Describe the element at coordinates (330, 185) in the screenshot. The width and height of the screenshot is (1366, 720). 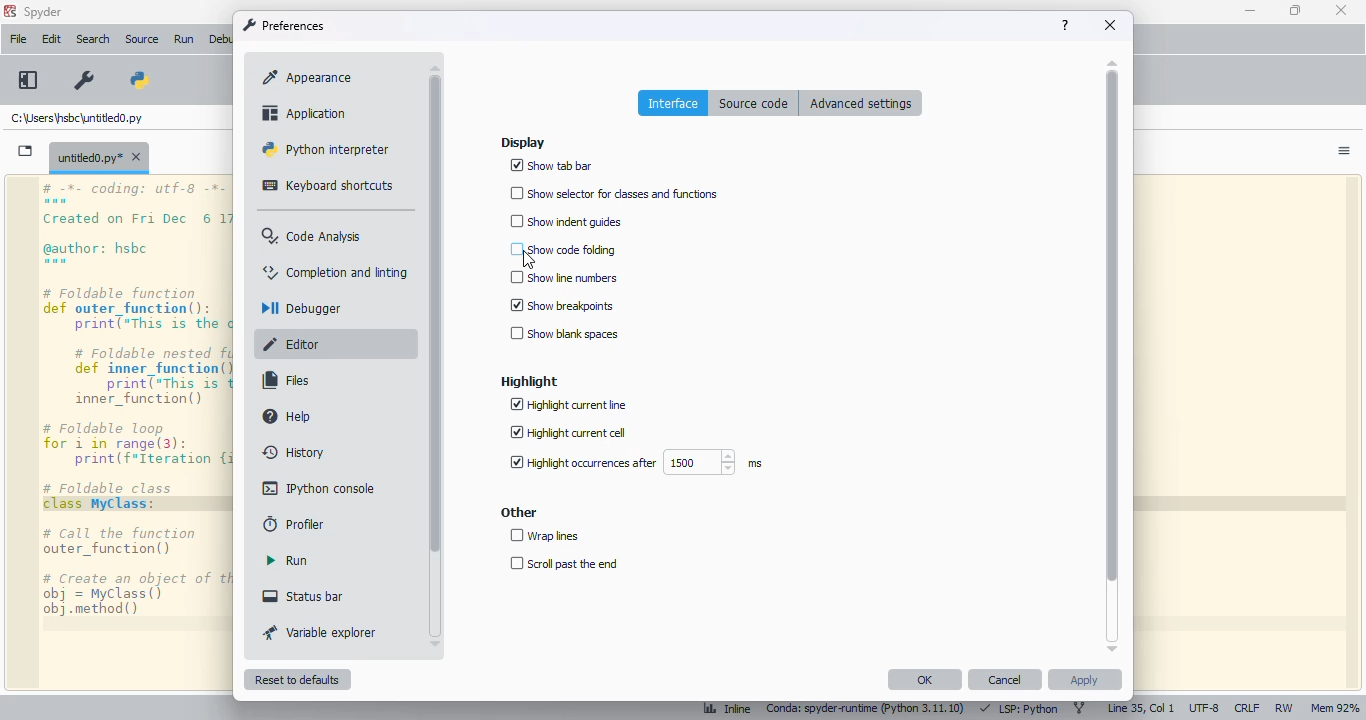
I see `keyboard shortcuts` at that location.